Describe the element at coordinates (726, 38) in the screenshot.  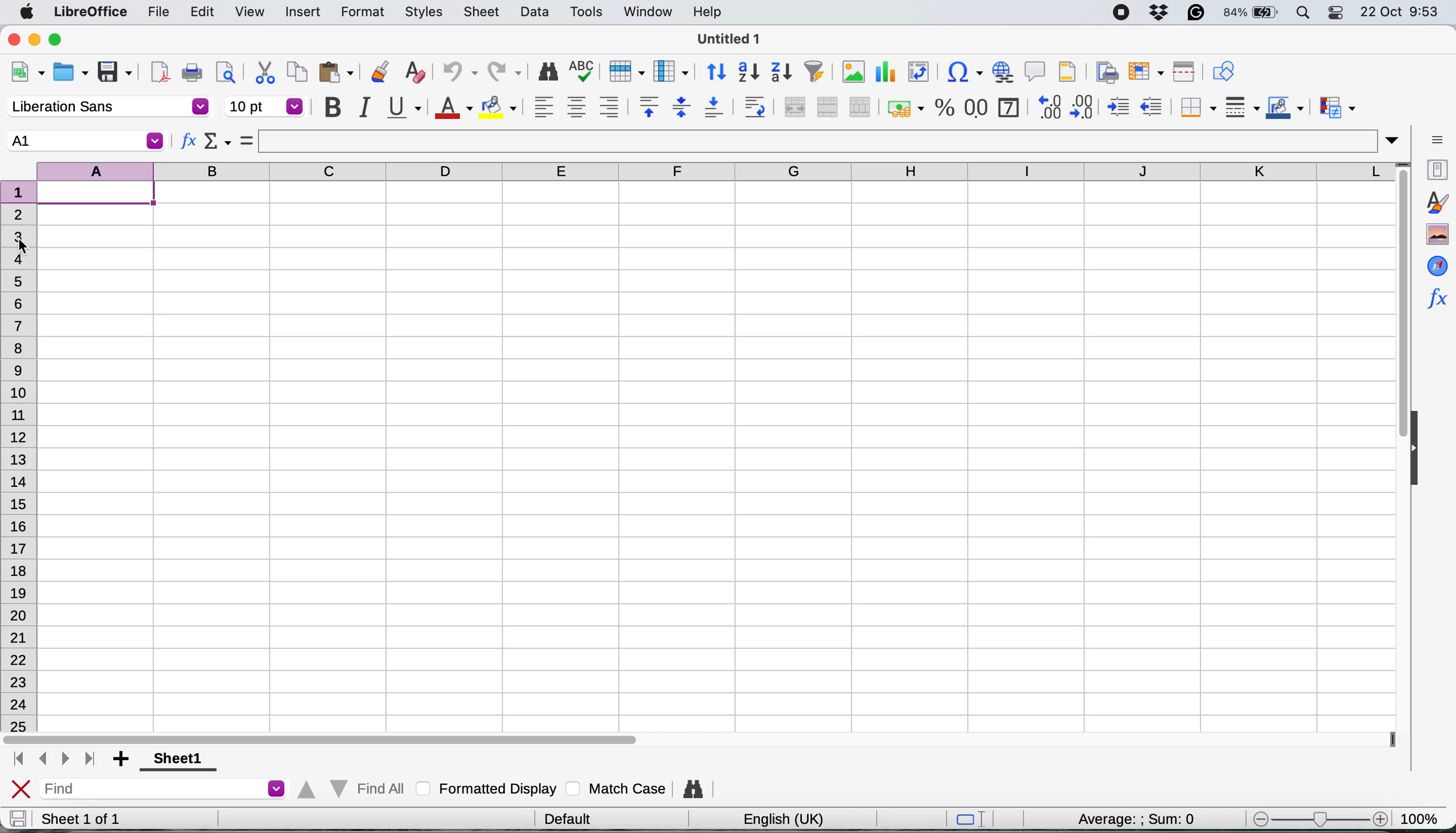
I see `Untitled 1` at that location.